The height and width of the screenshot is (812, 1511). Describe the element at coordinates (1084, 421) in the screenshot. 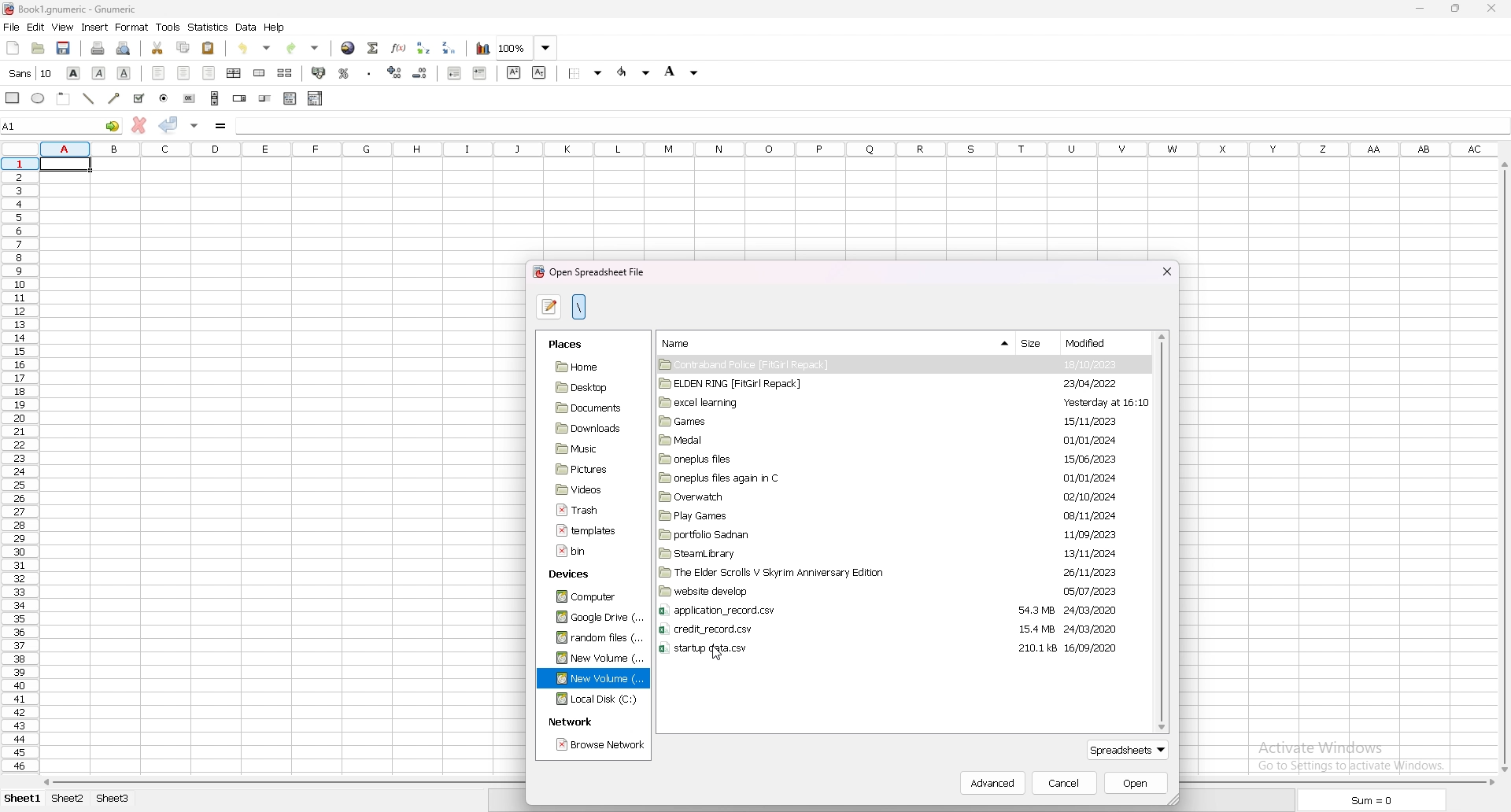

I see `15/11/2023` at that location.